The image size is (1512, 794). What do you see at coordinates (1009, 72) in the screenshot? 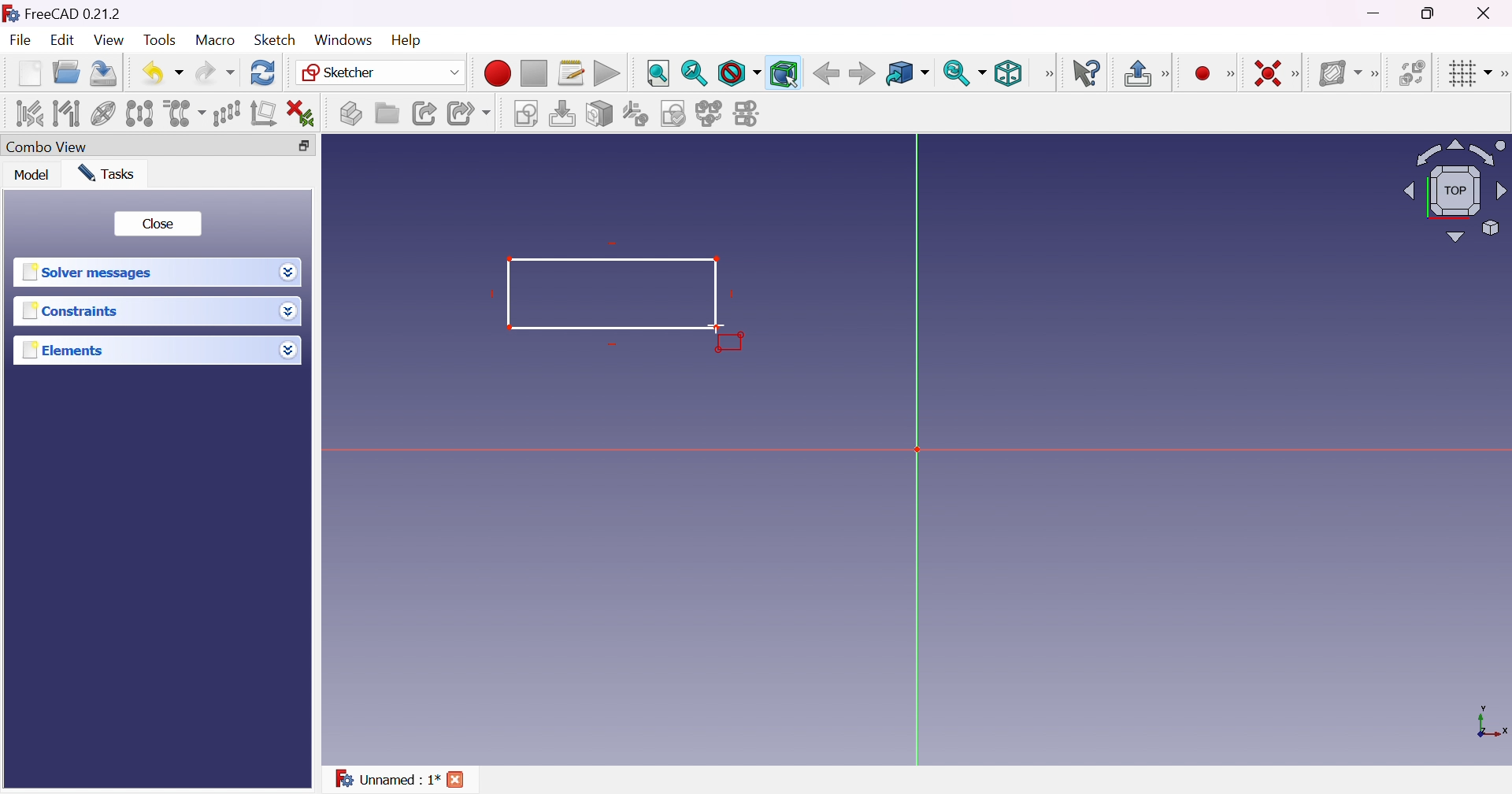
I see `Isometric` at bounding box center [1009, 72].